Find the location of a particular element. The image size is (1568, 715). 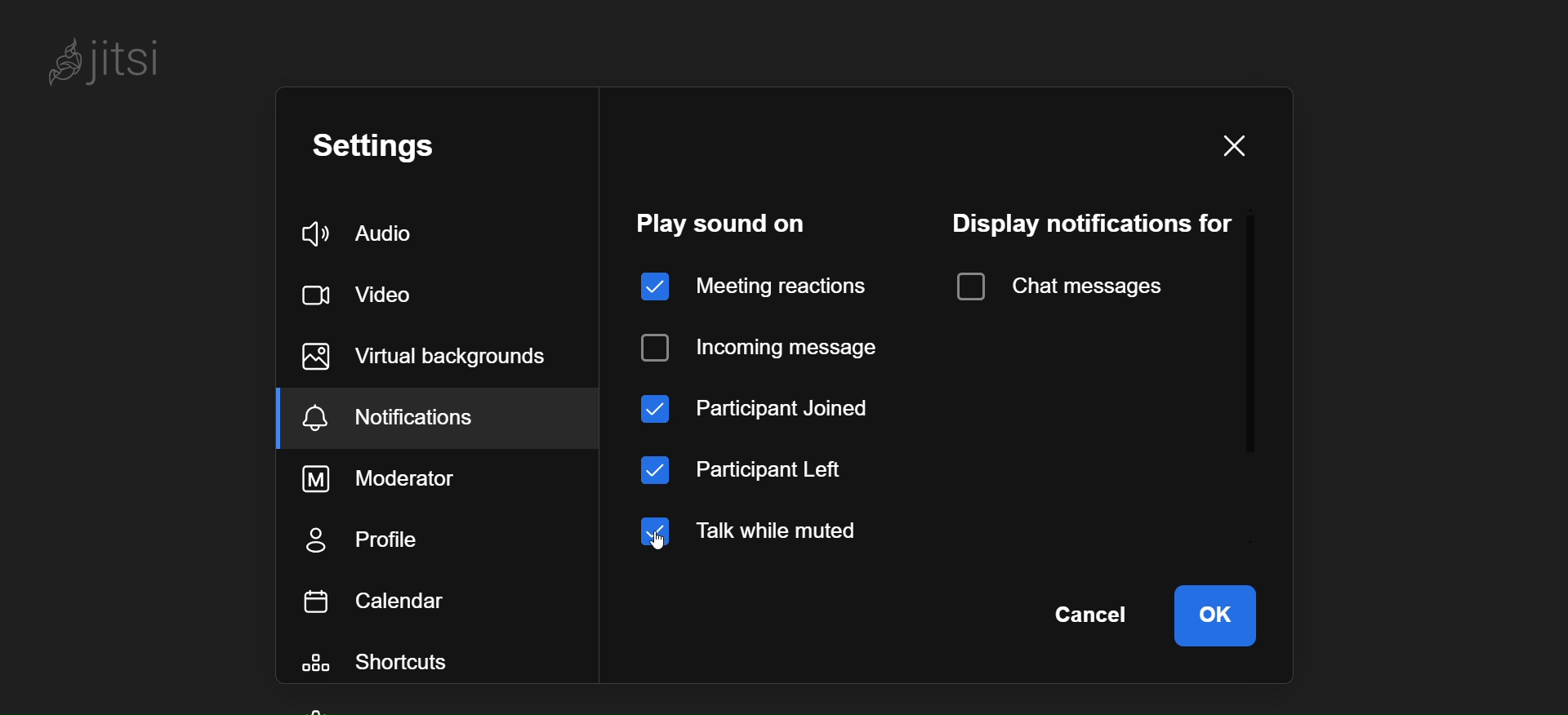

jitsi is located at coordinates (116, 62).